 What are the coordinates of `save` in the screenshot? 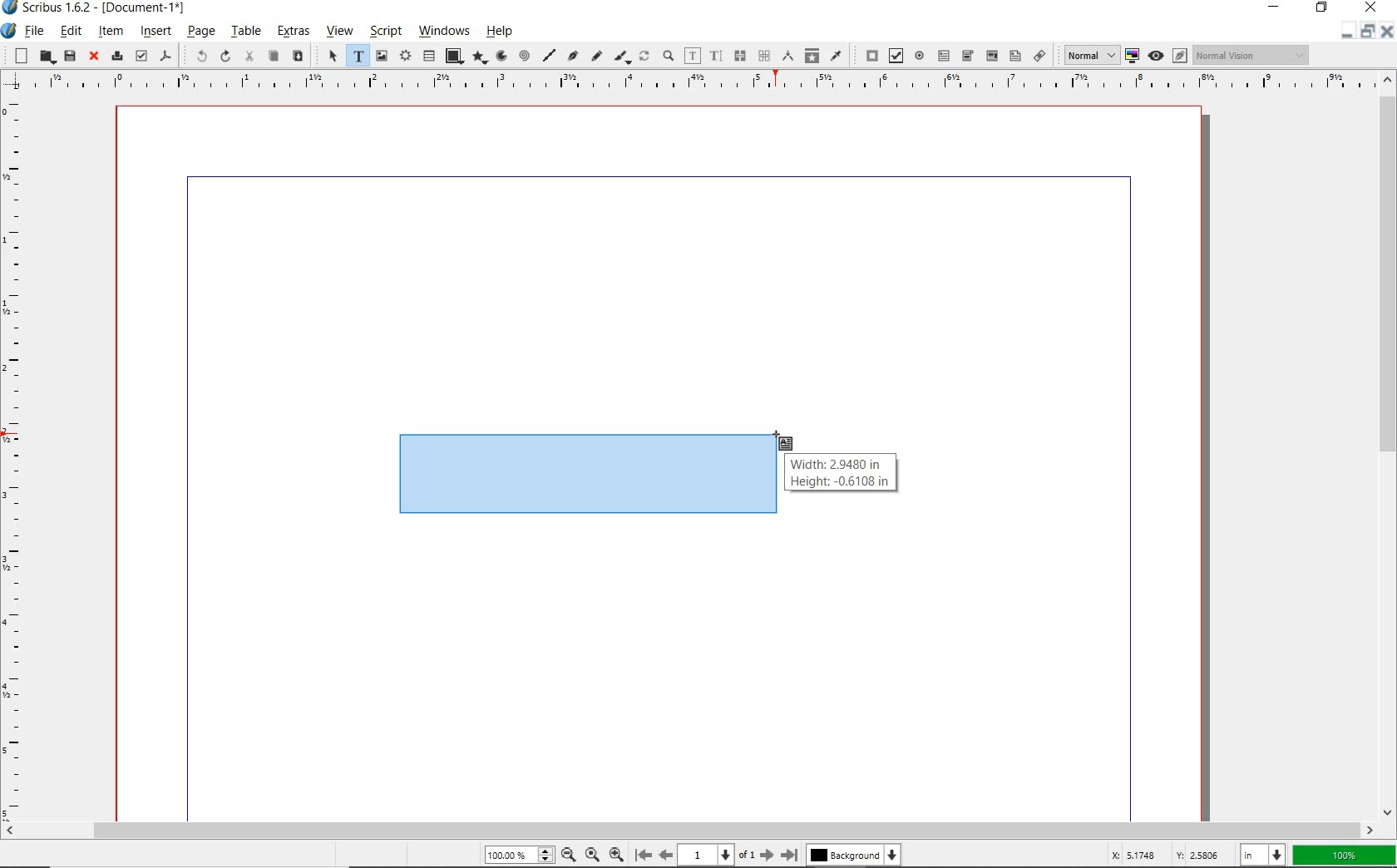 It's located at (69, 56).